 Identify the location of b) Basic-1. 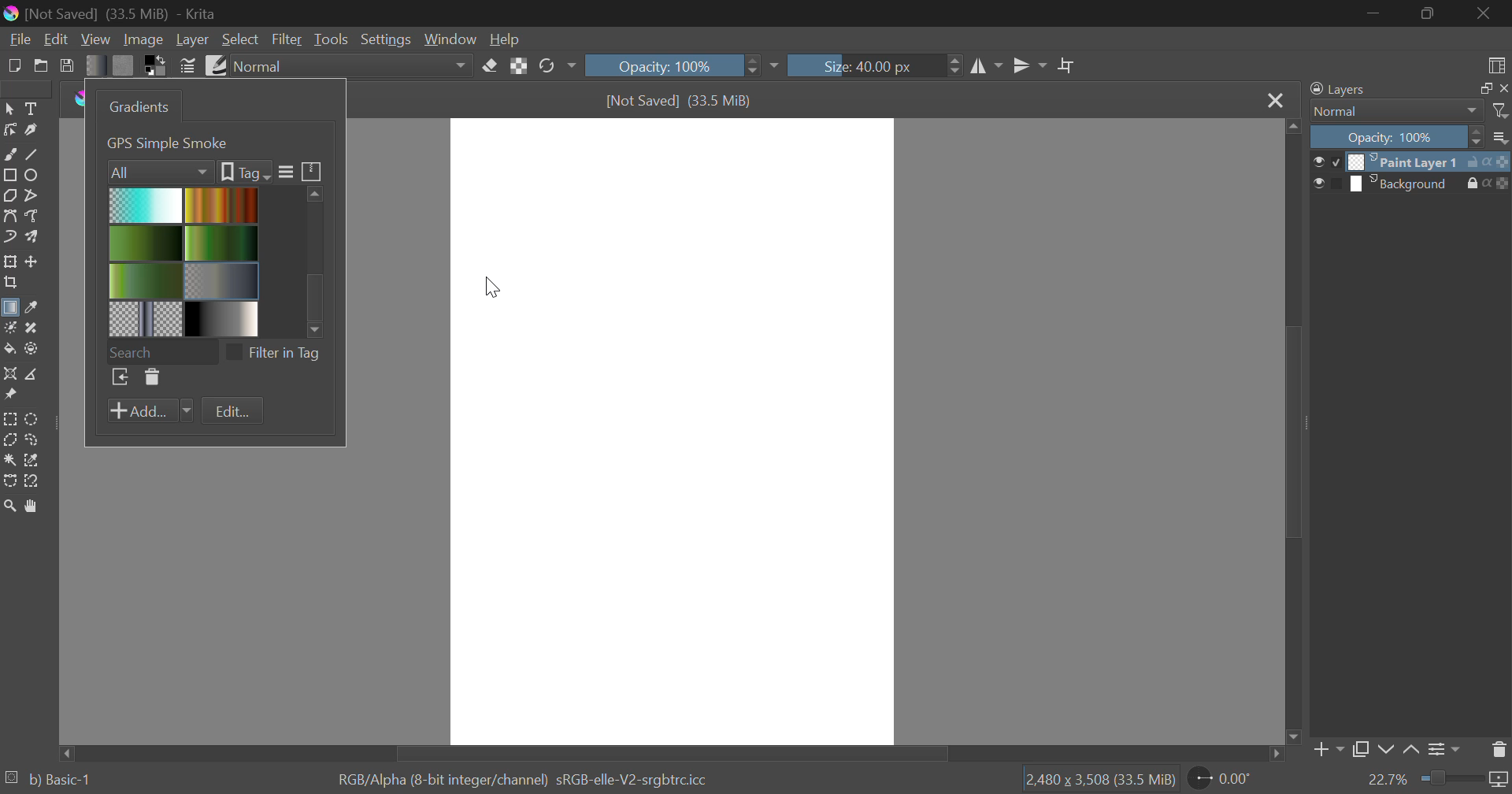
(49, 781).